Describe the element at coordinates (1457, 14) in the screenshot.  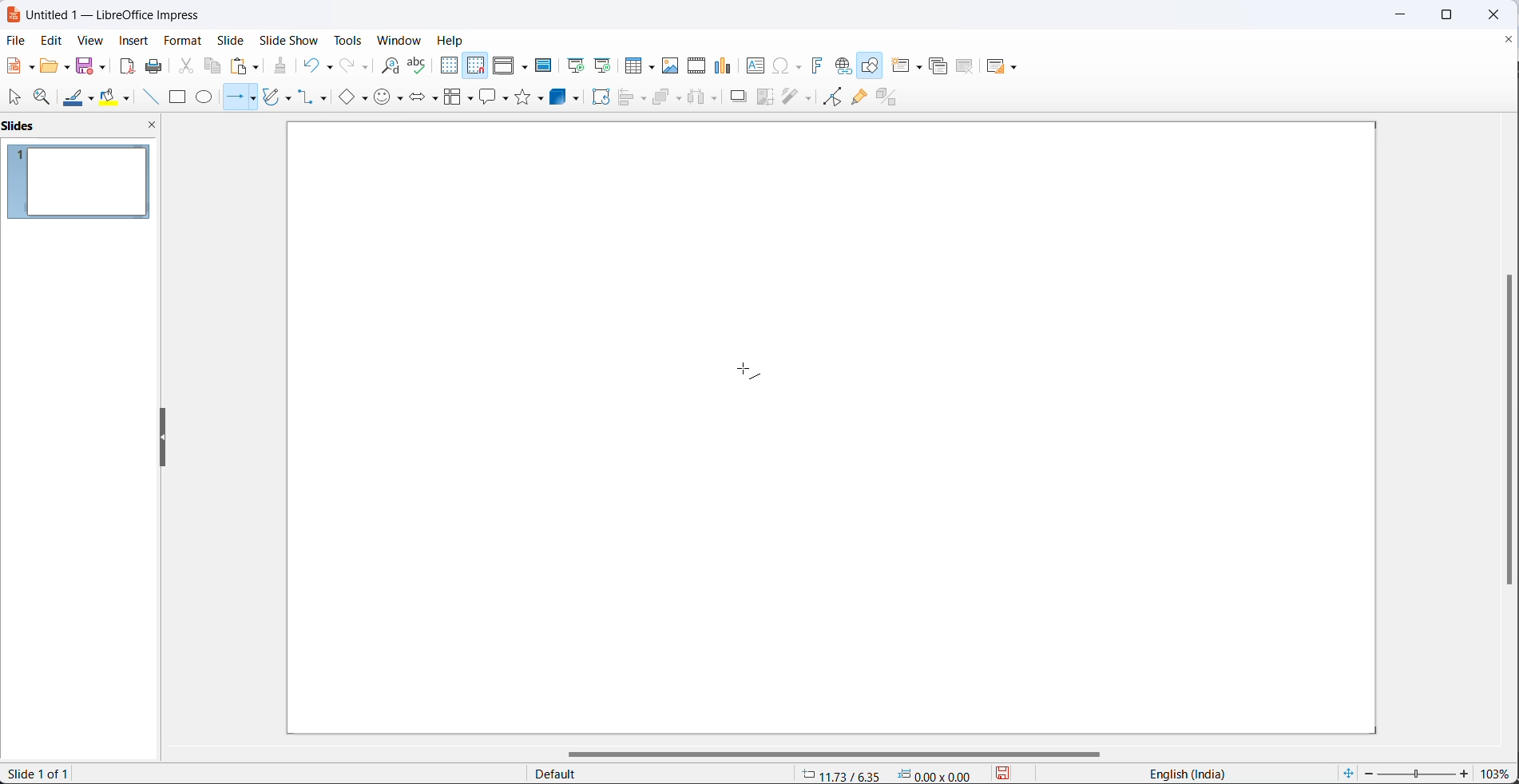
I see `maximize` at that location.